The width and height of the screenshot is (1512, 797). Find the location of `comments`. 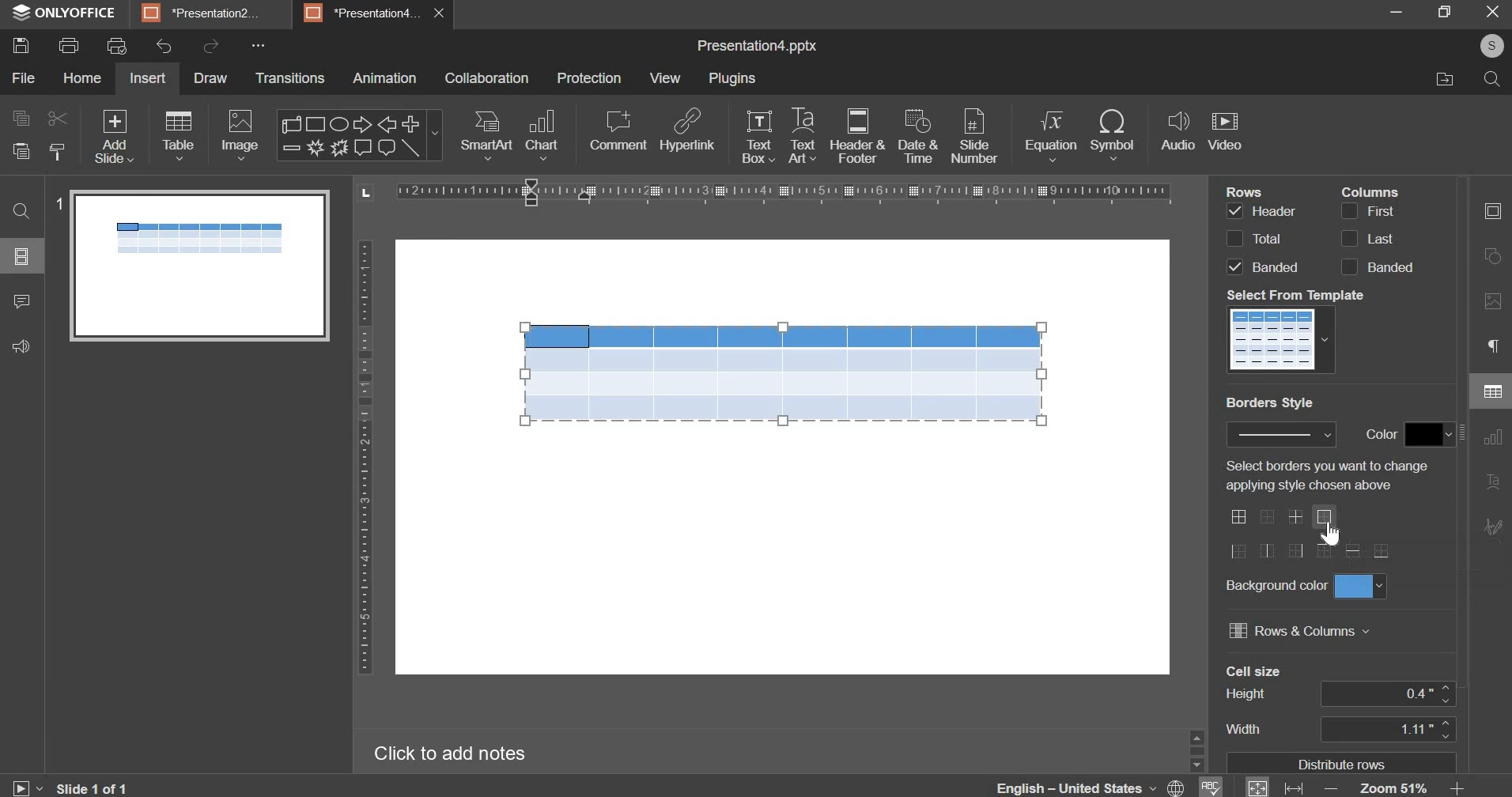

comments is located at coordinates (21, 301).